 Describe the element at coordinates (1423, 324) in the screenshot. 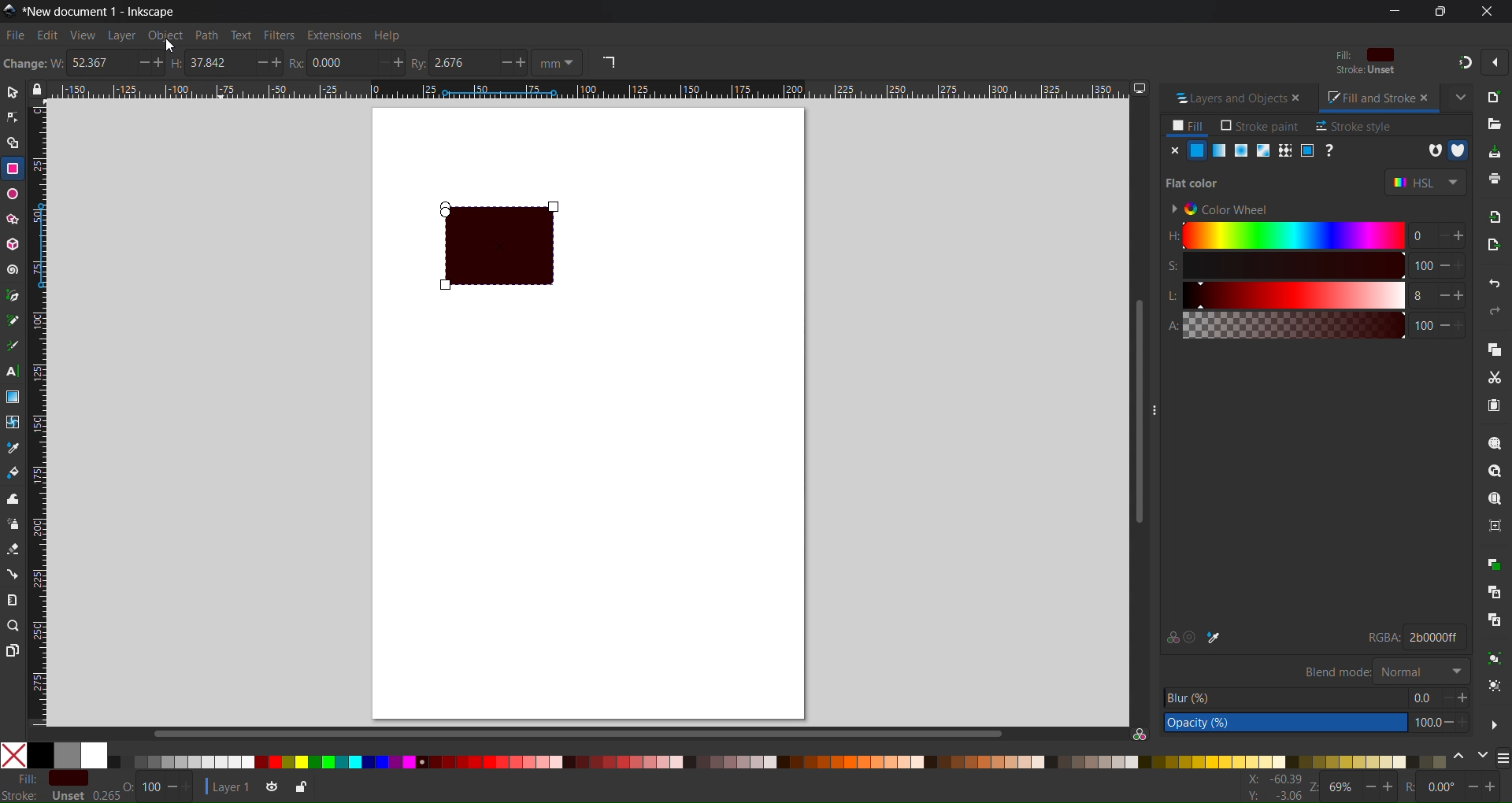

I see ` 100` at that location.